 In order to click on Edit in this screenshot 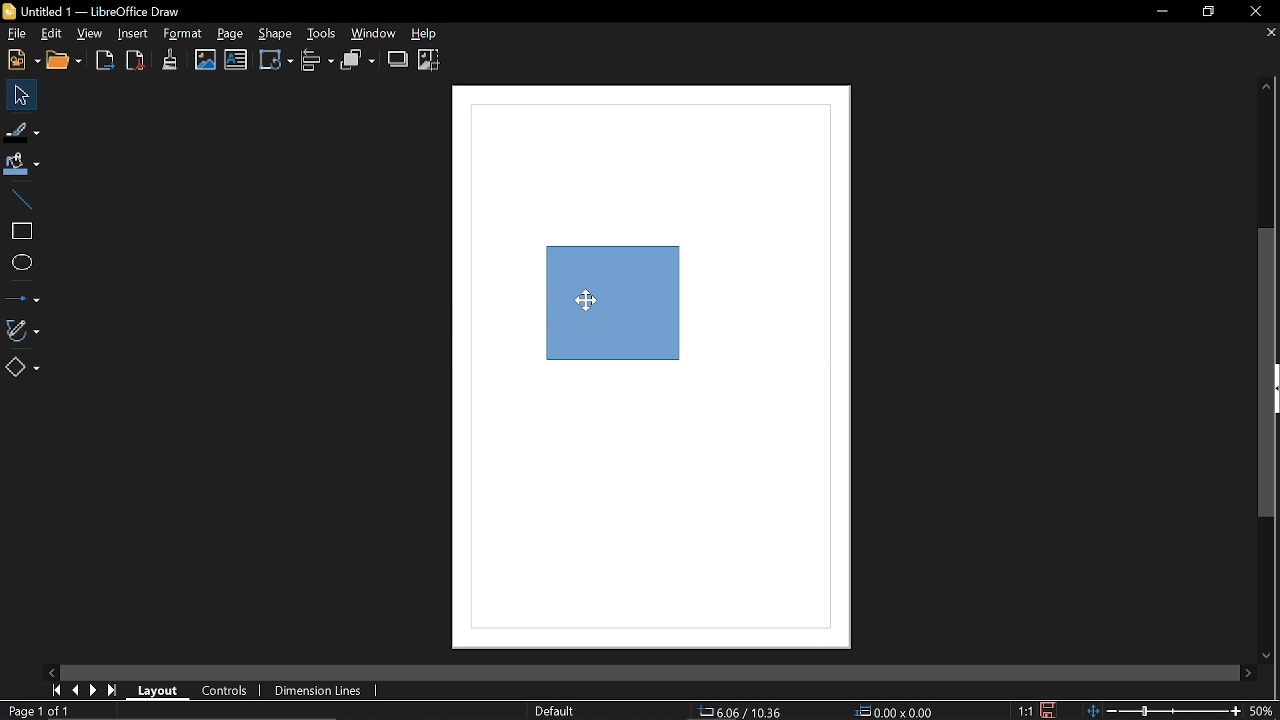, I will do `click(51, 35)`.